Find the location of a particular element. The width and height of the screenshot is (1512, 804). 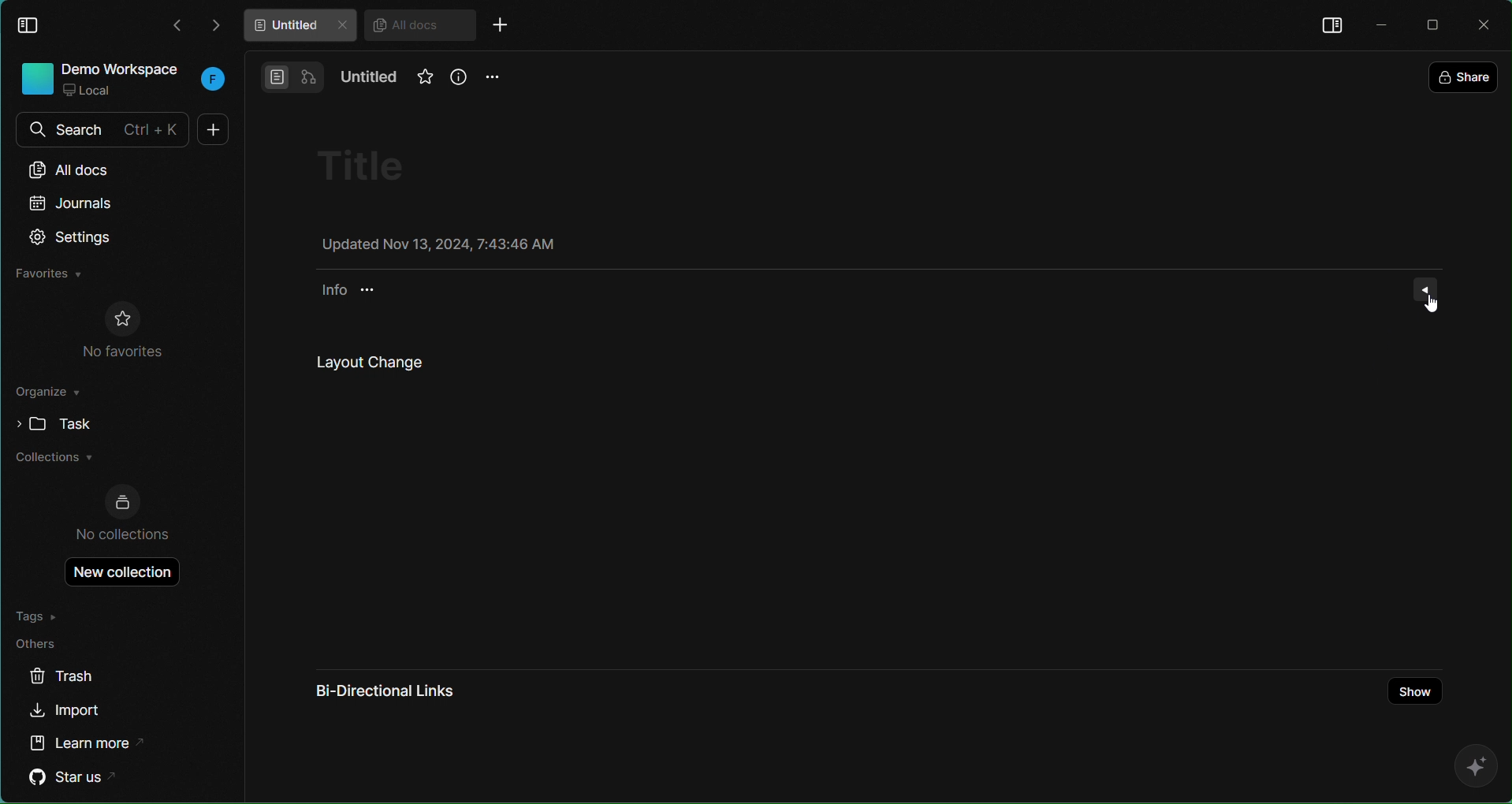

Untitled is located at coordinates (371, 78).